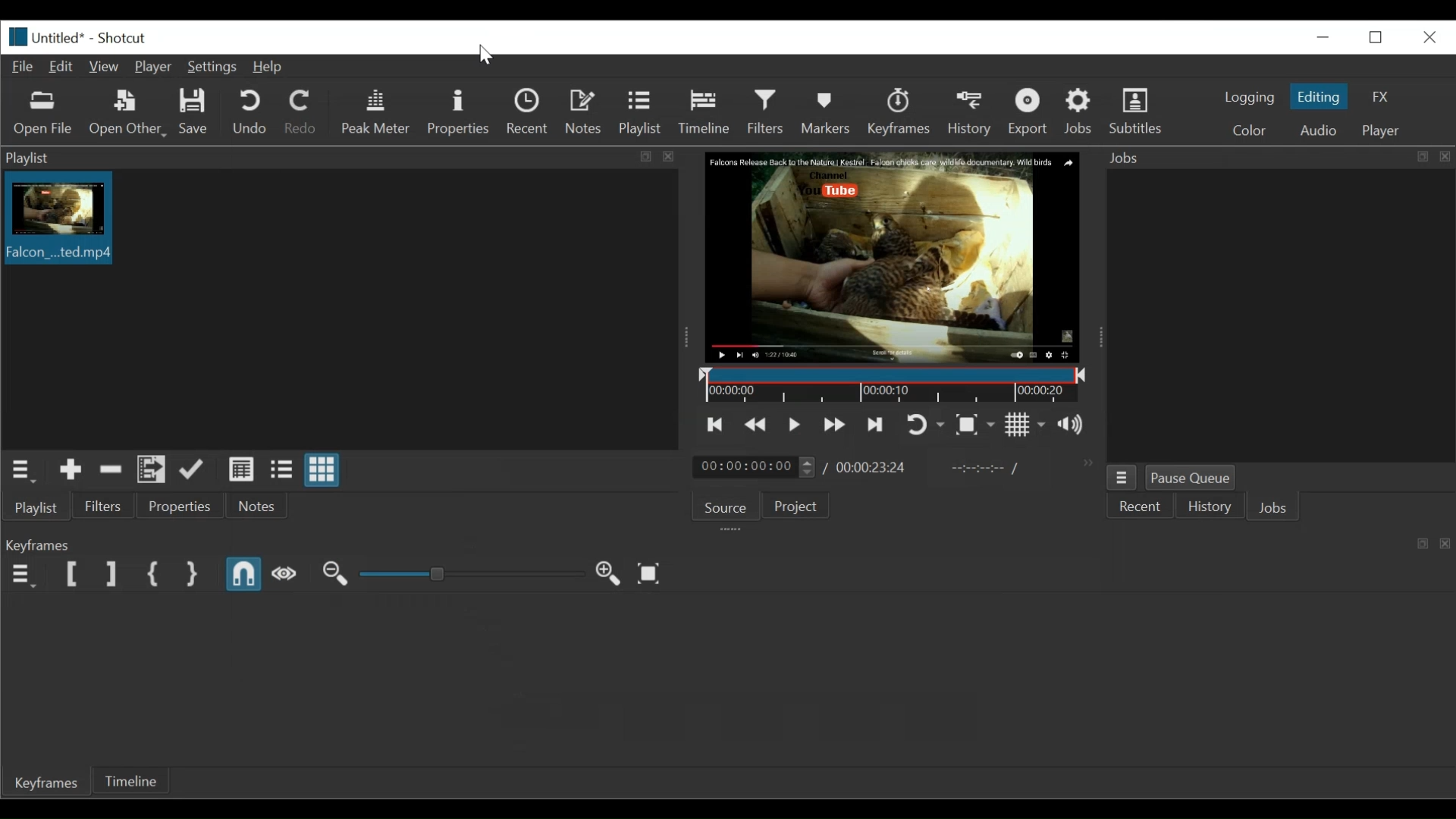  I want to click on Jobs, so click(1275, 510).